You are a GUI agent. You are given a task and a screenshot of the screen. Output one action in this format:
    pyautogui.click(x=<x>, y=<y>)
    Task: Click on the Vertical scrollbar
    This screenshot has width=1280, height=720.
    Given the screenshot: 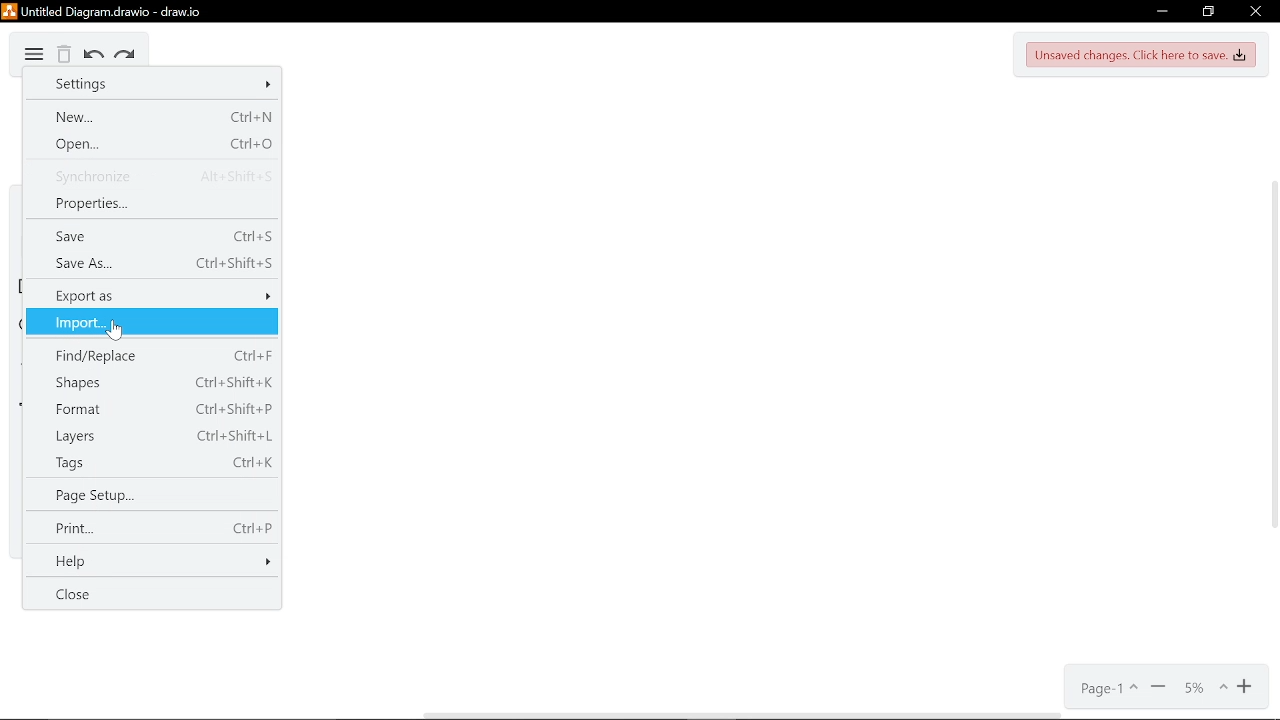 What is the action you would take?
    pyautogui.click(x=1272, y=360)
    